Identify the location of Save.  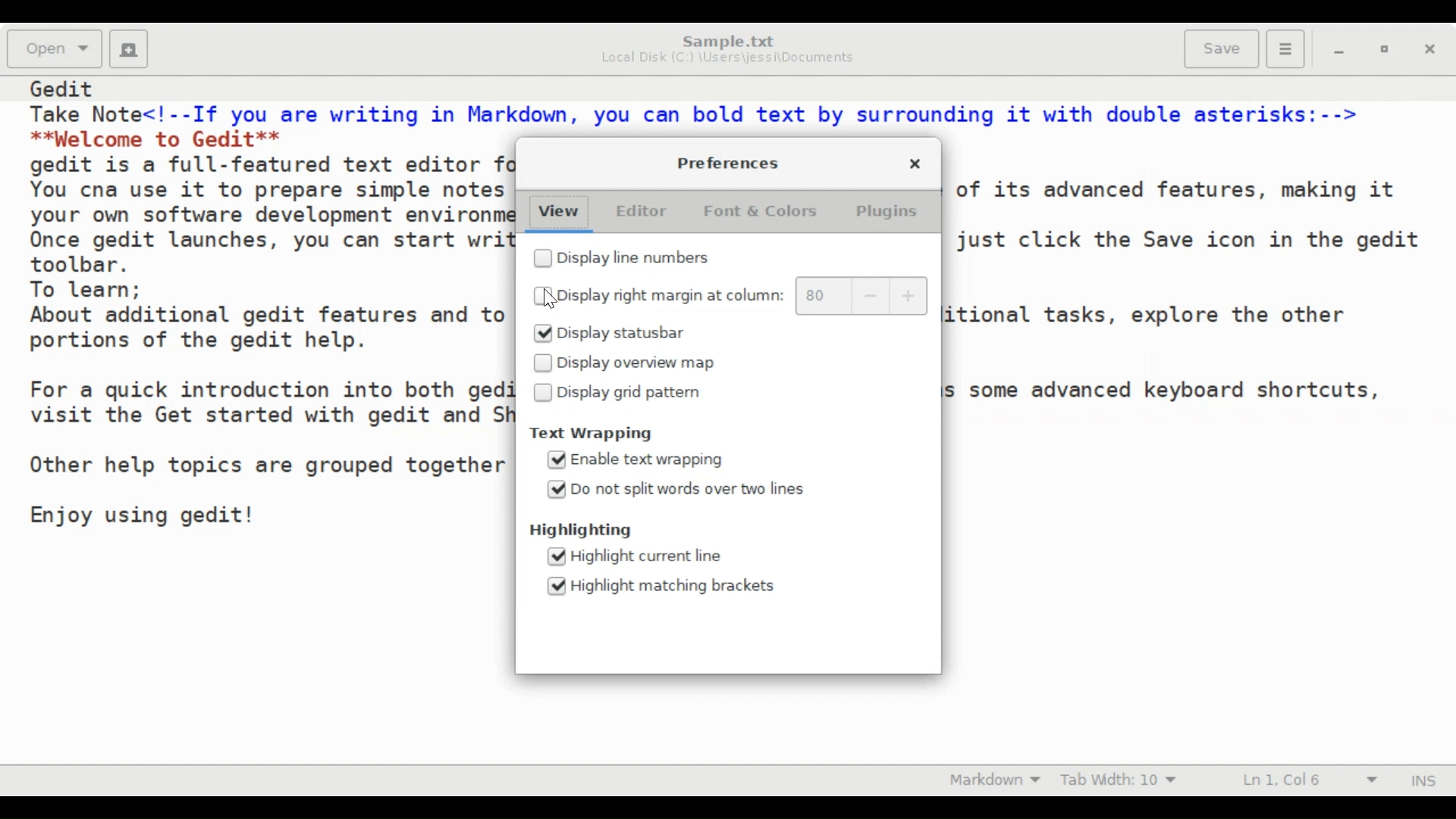
(1221, 50).